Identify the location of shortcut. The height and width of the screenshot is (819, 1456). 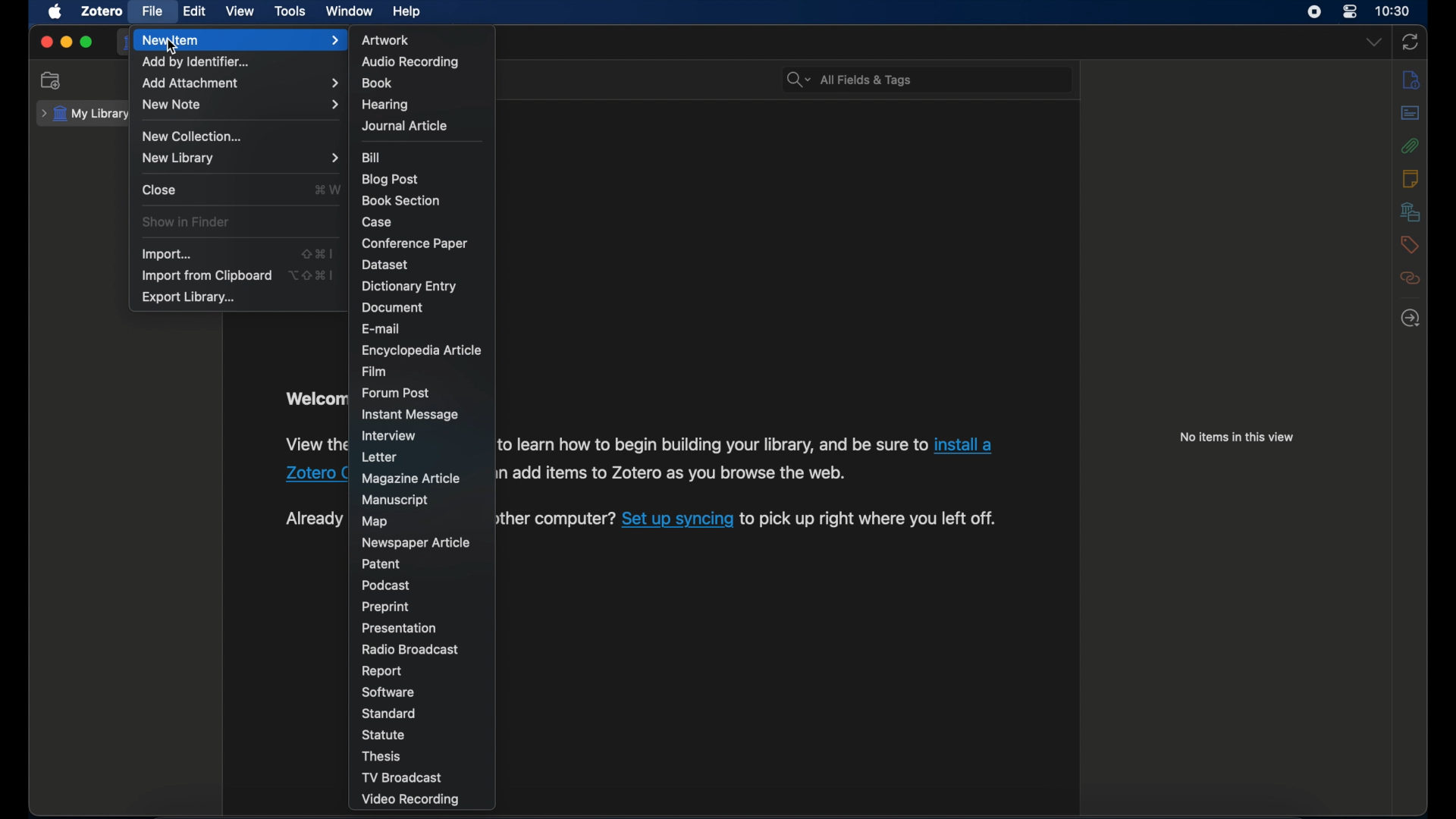
(312, 275).